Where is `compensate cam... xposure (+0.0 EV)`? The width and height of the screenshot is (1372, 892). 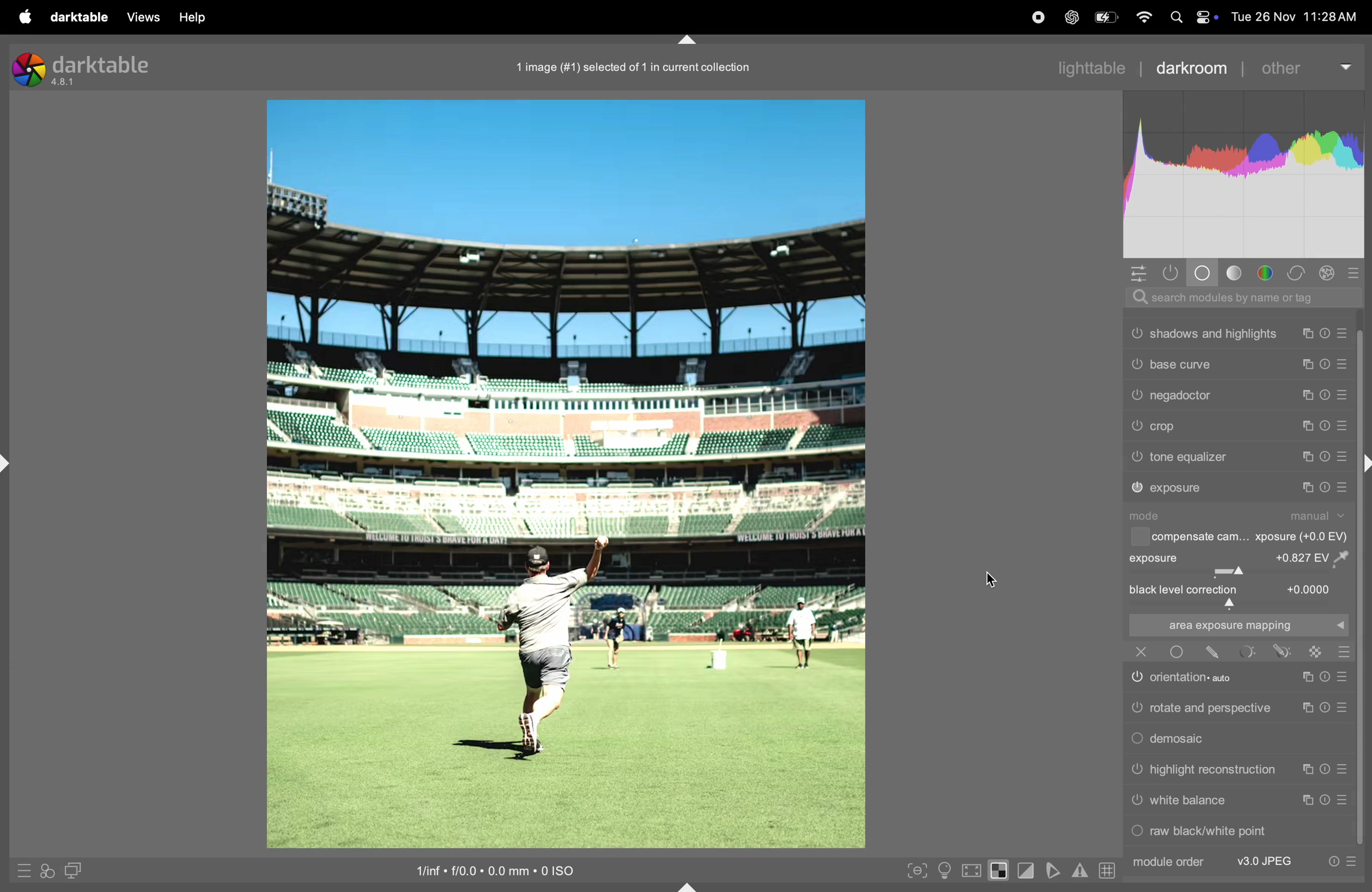 compensate cam... xposure (+0.0 EV) is located at coordinates (1252, 538).